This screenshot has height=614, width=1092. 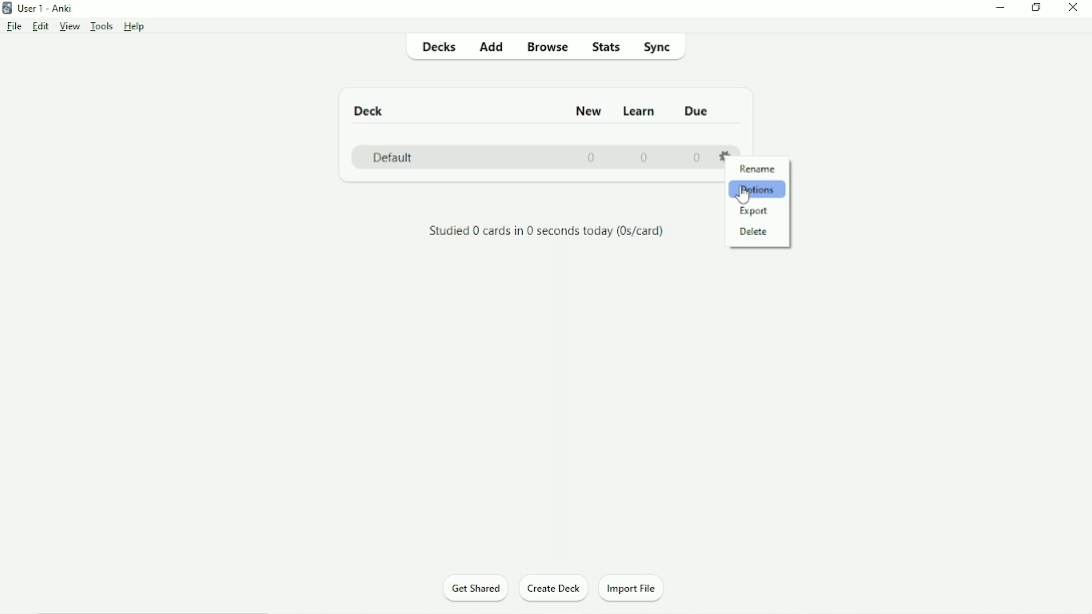 What do you see at coordinates (102, 26) in the screenshot?
I see `Tools` at bounding box center [102, 26].